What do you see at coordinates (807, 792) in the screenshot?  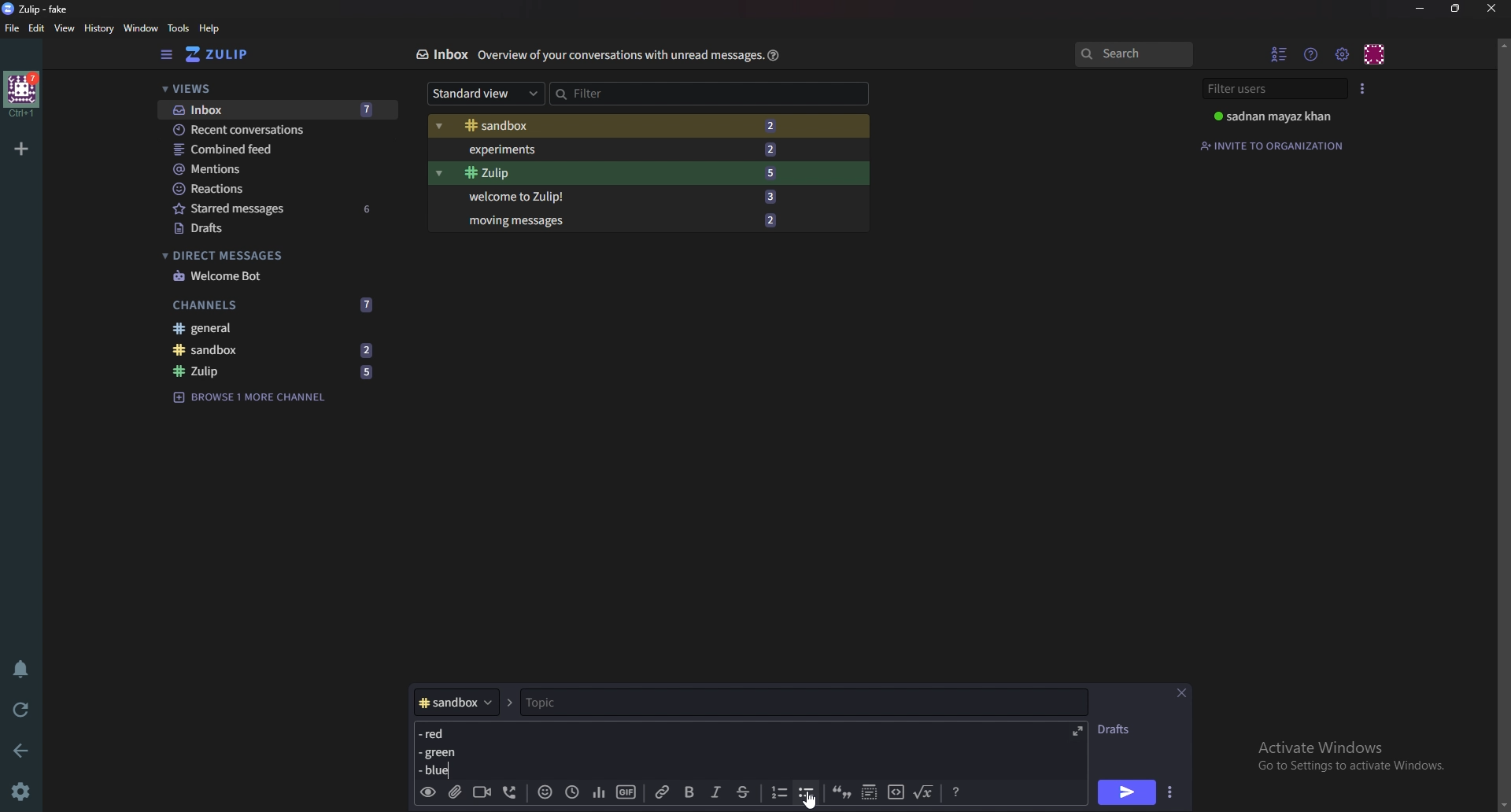 I see `Bullet list` at bounding box center [807, 792].